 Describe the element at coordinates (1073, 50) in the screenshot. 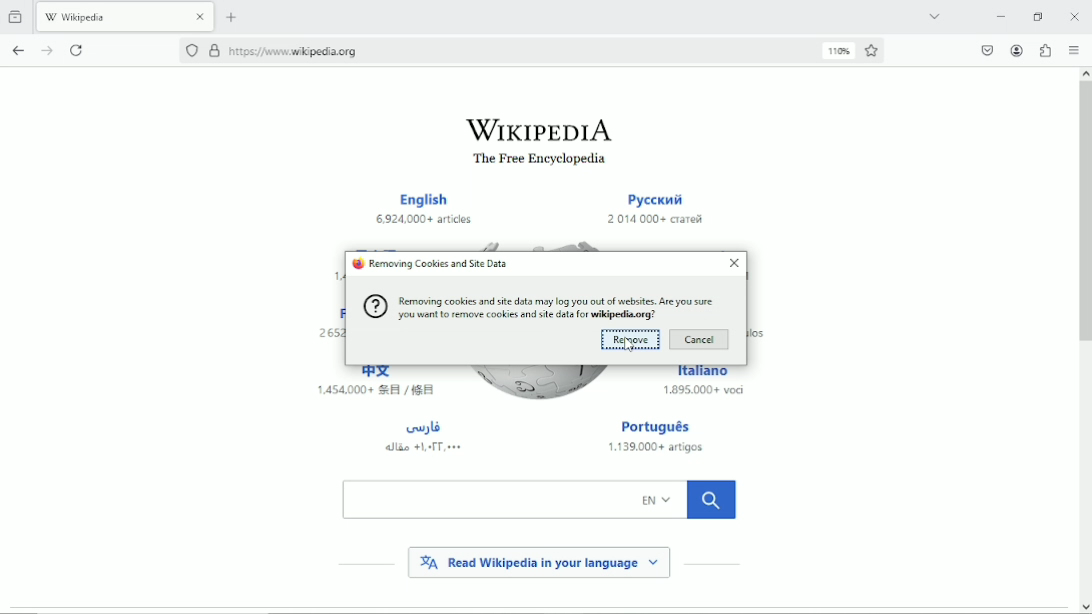

I see `open application menu` at that location.